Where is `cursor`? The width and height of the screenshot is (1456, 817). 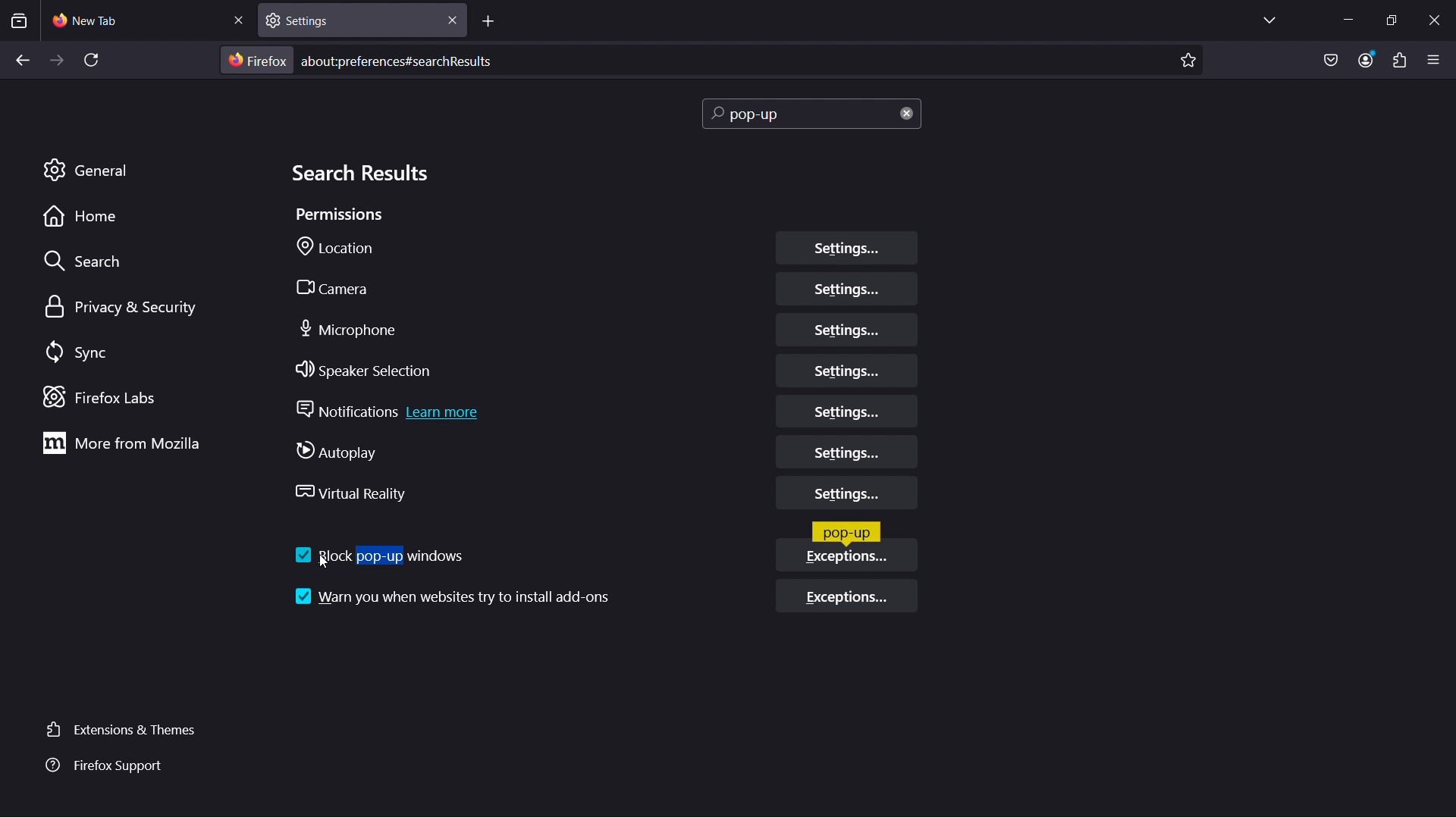
cursor is located at coordinates (323, 565).